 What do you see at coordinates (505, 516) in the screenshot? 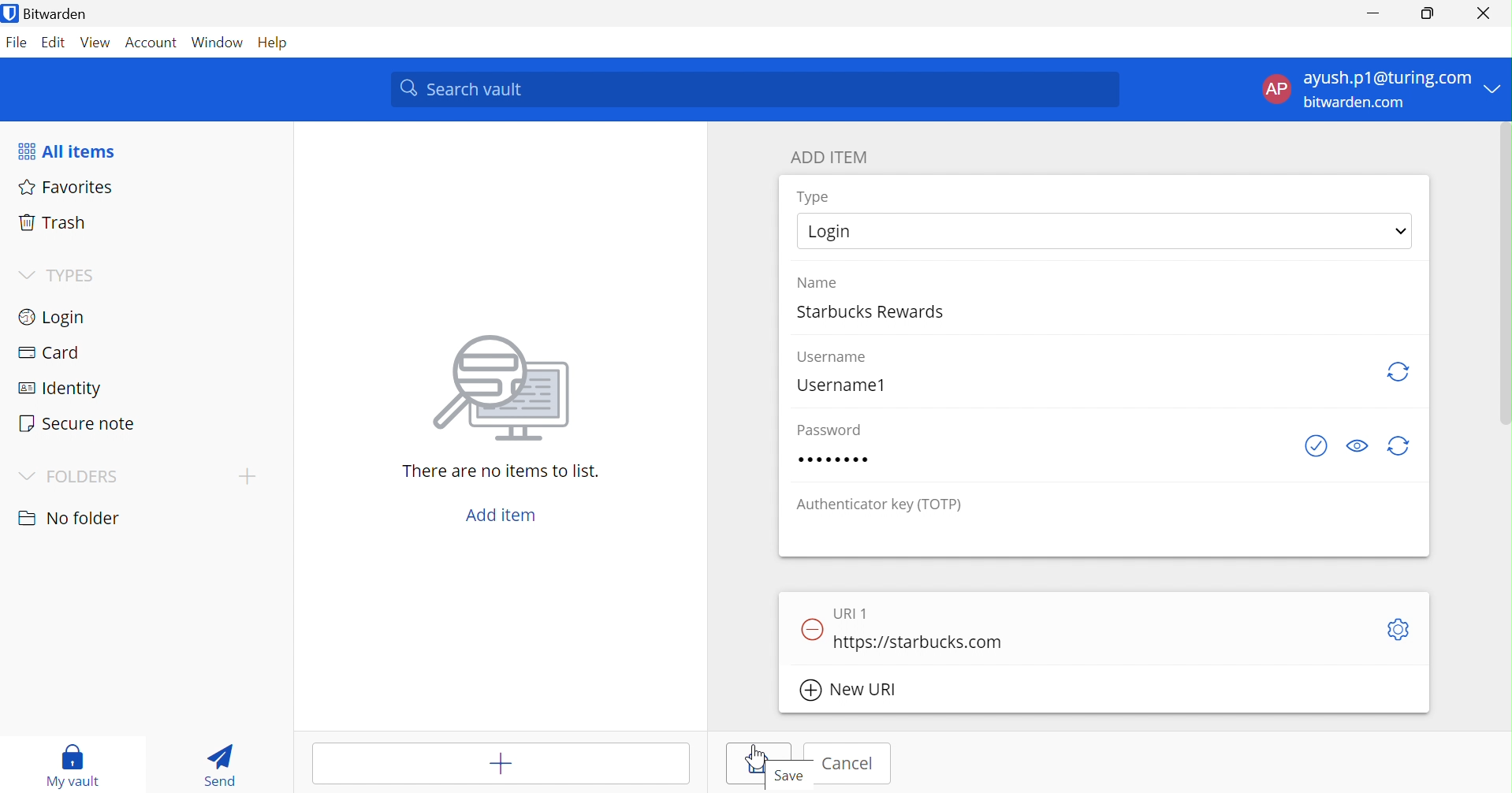
I see `Add item` at bounding box center [505, 516].